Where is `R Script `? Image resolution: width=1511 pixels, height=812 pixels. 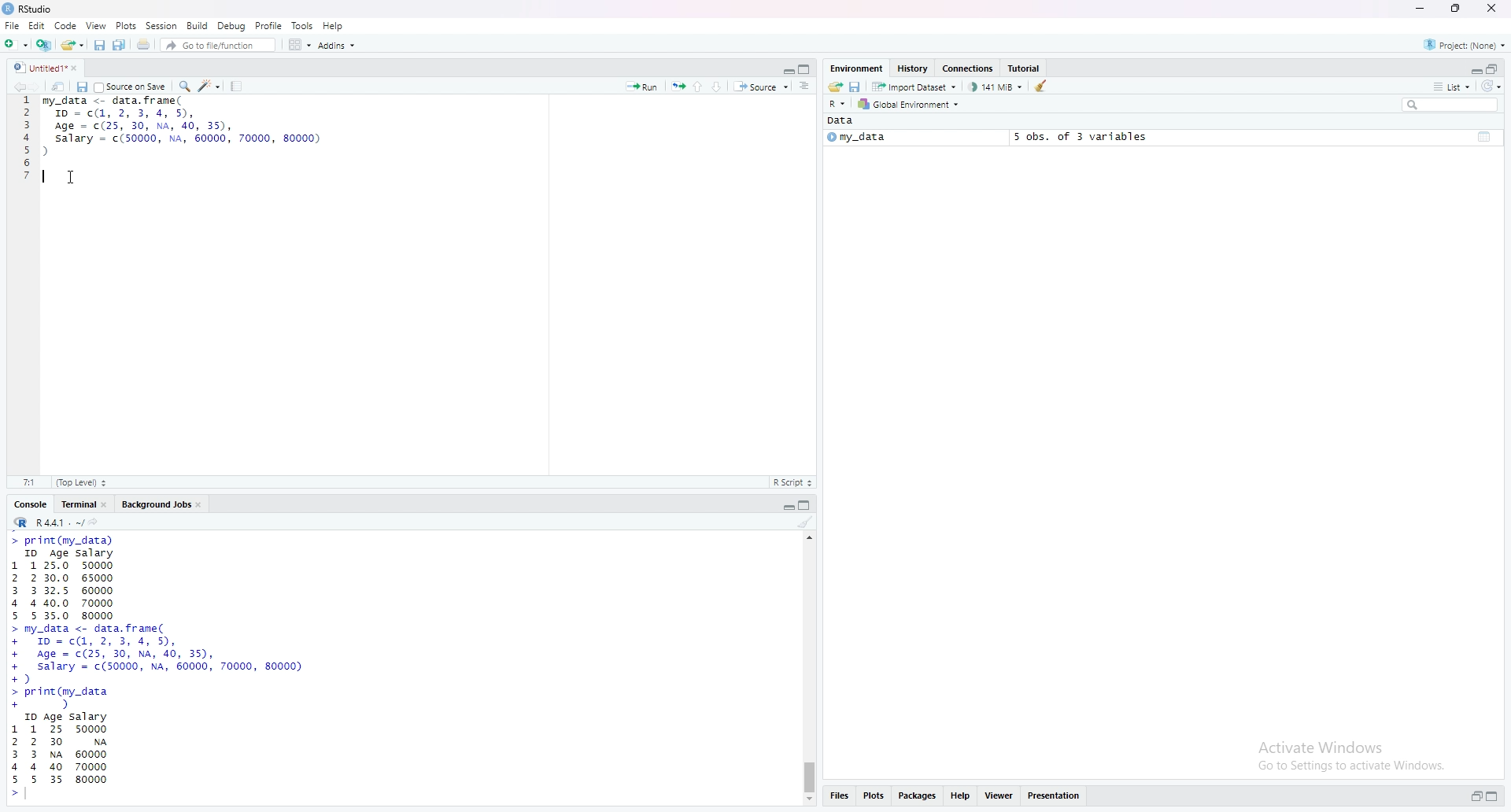
R Script  is located at coordinates (792, 483).